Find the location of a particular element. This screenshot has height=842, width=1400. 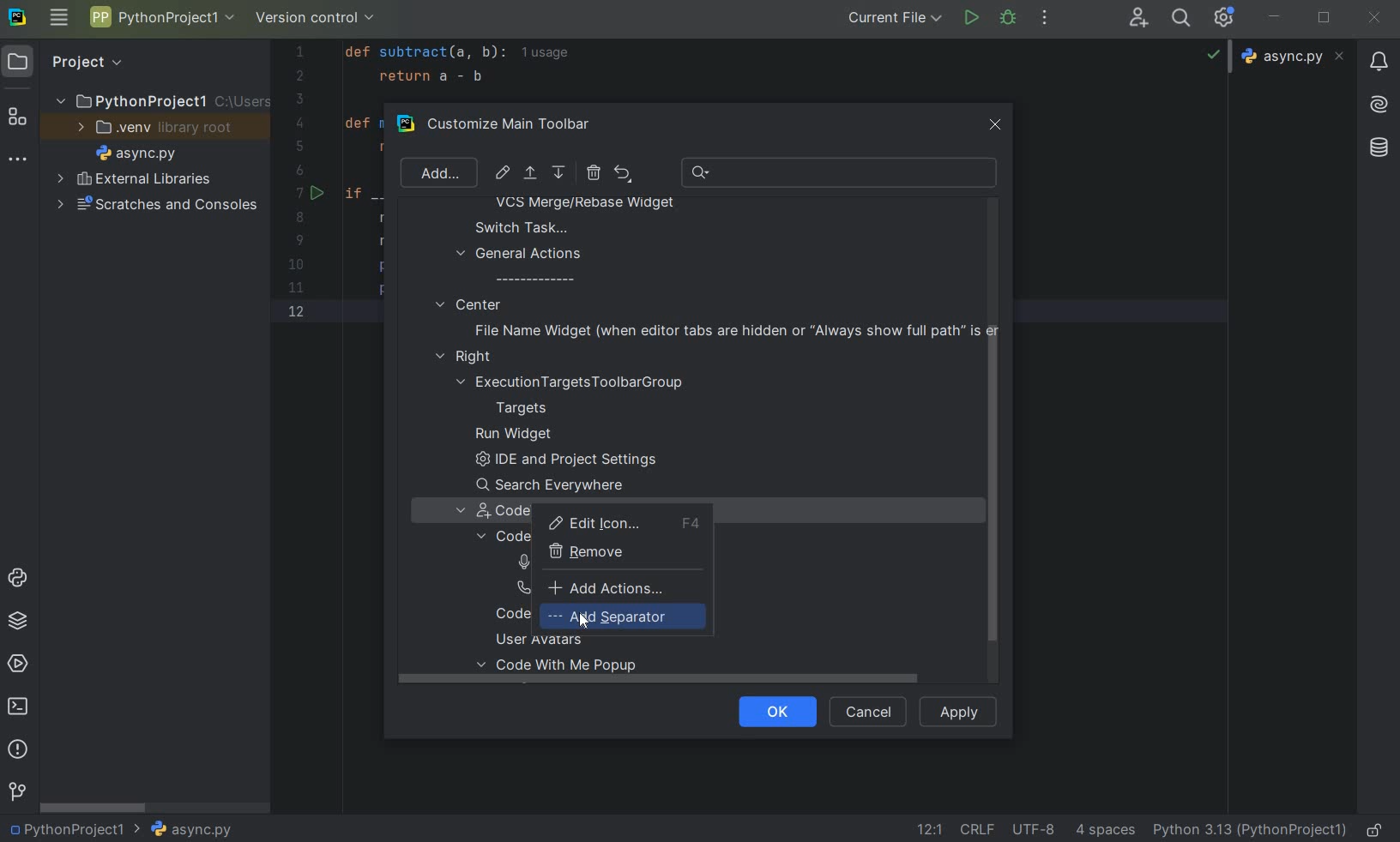

RESTORE DOWN is located at coordinates (1325, 15).